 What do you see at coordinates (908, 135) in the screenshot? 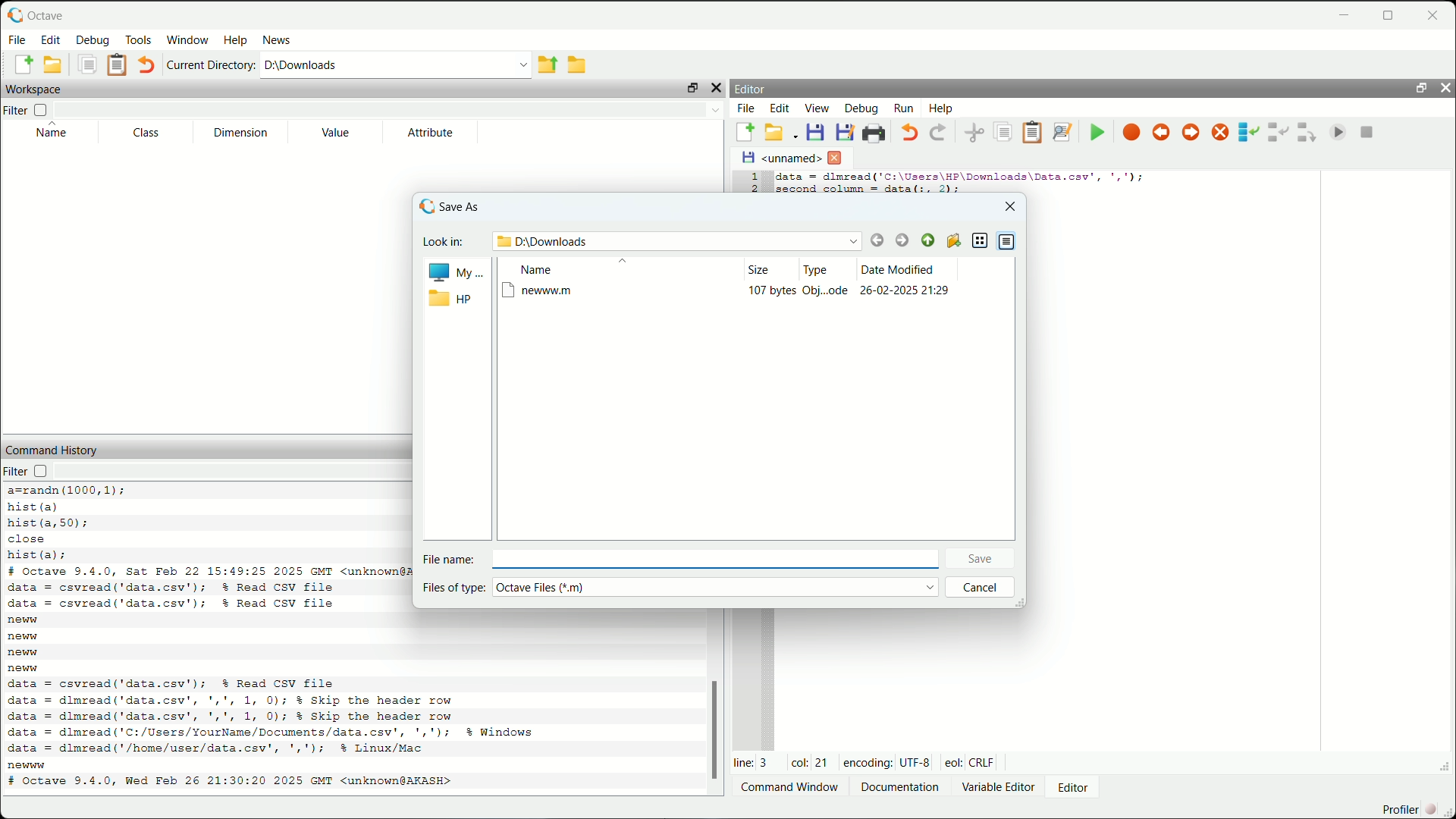
I see `undo` at bounding box center [908, 135].